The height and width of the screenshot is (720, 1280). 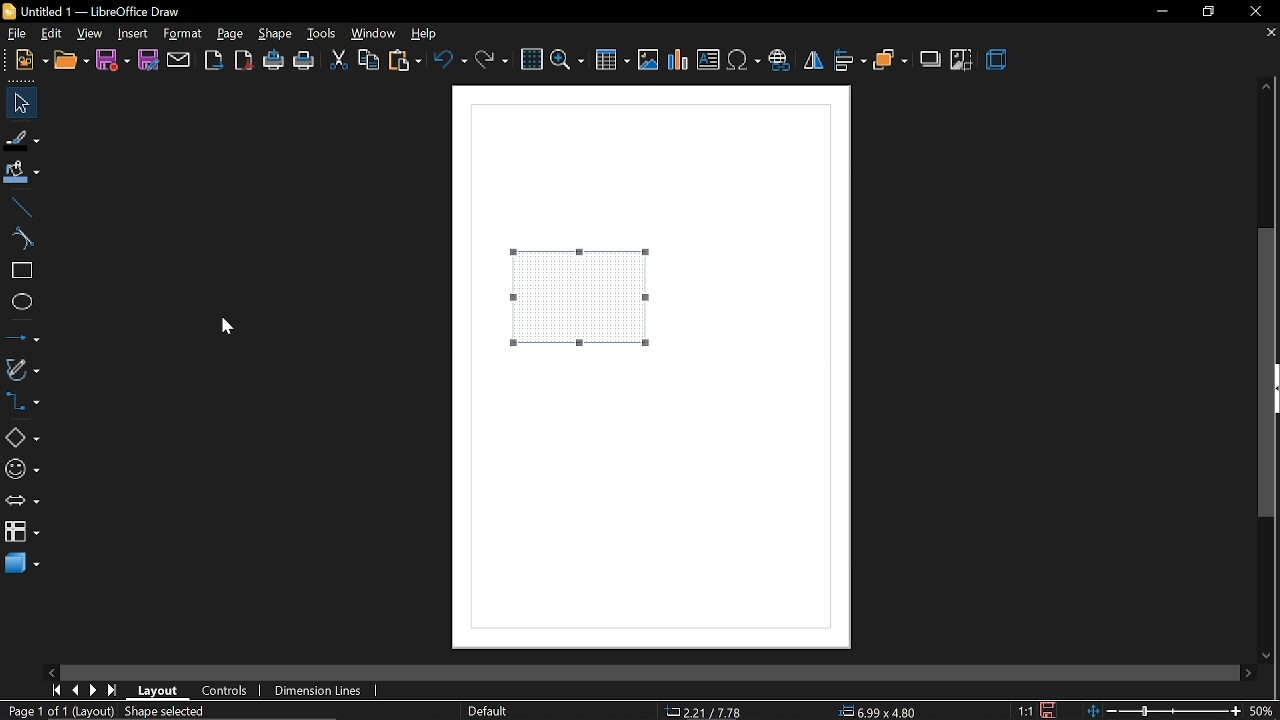 I want to click on current page, so click(x=59, y=711).